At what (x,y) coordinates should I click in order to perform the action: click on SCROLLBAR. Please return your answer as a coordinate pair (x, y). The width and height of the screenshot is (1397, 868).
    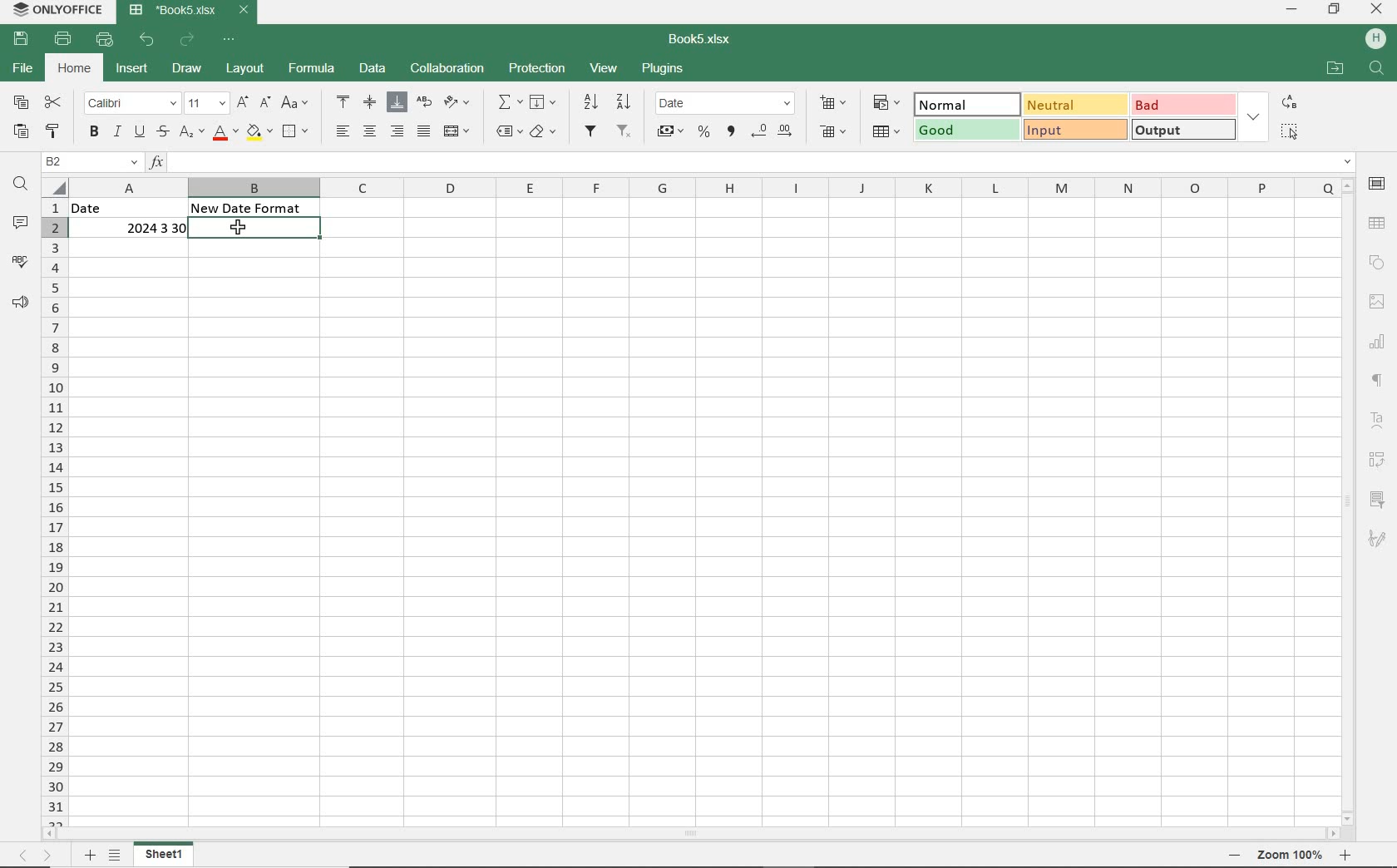
    Looking at the image, I should click on (1350, 499).